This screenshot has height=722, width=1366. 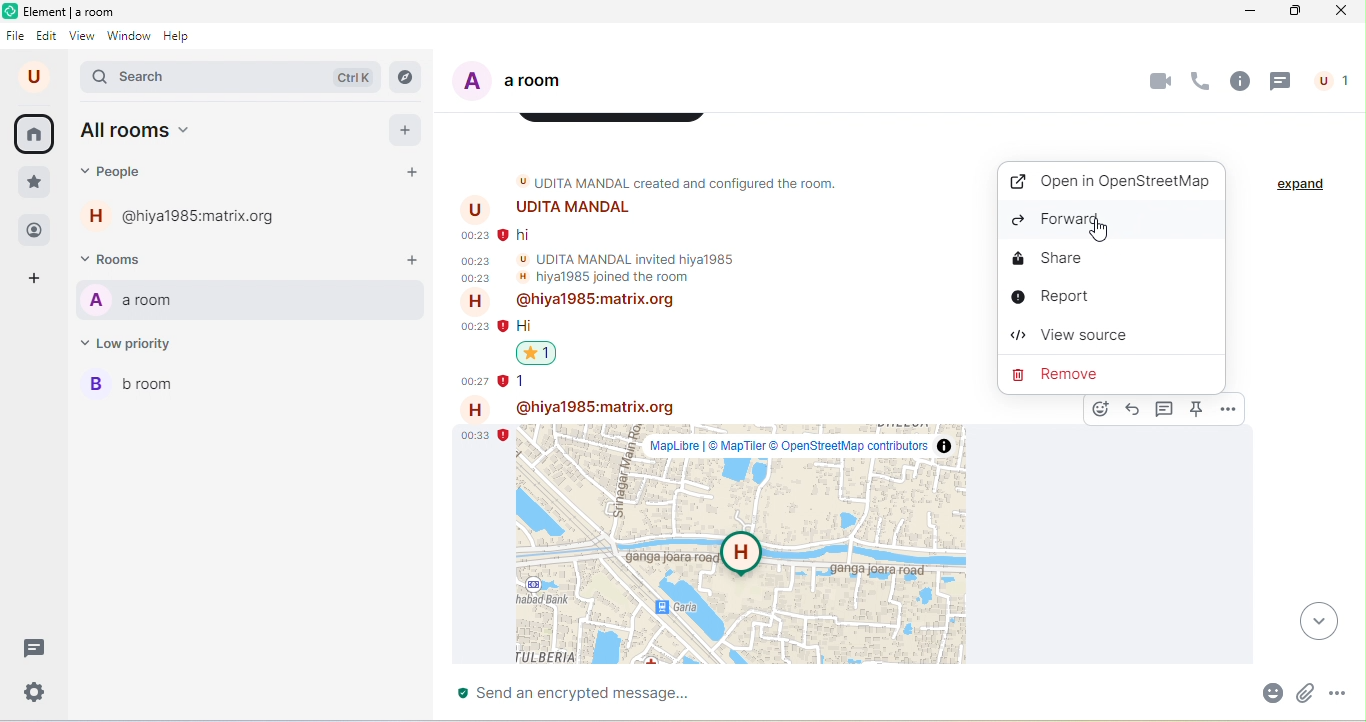 I want to click on , so click(x=473, y=355).